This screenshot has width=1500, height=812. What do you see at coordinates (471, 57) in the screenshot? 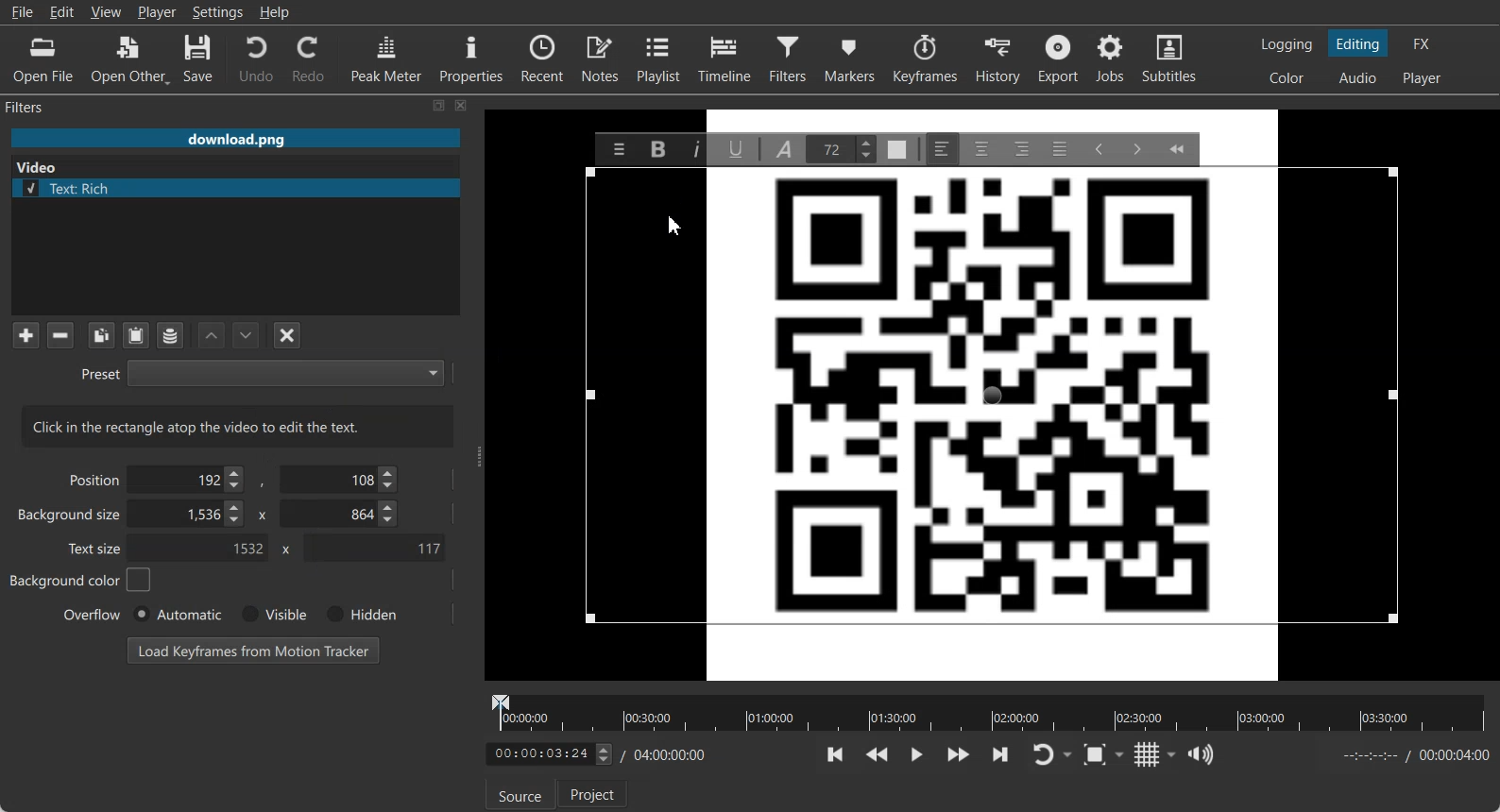
I see `Properties` at bounding box center [471, 57].